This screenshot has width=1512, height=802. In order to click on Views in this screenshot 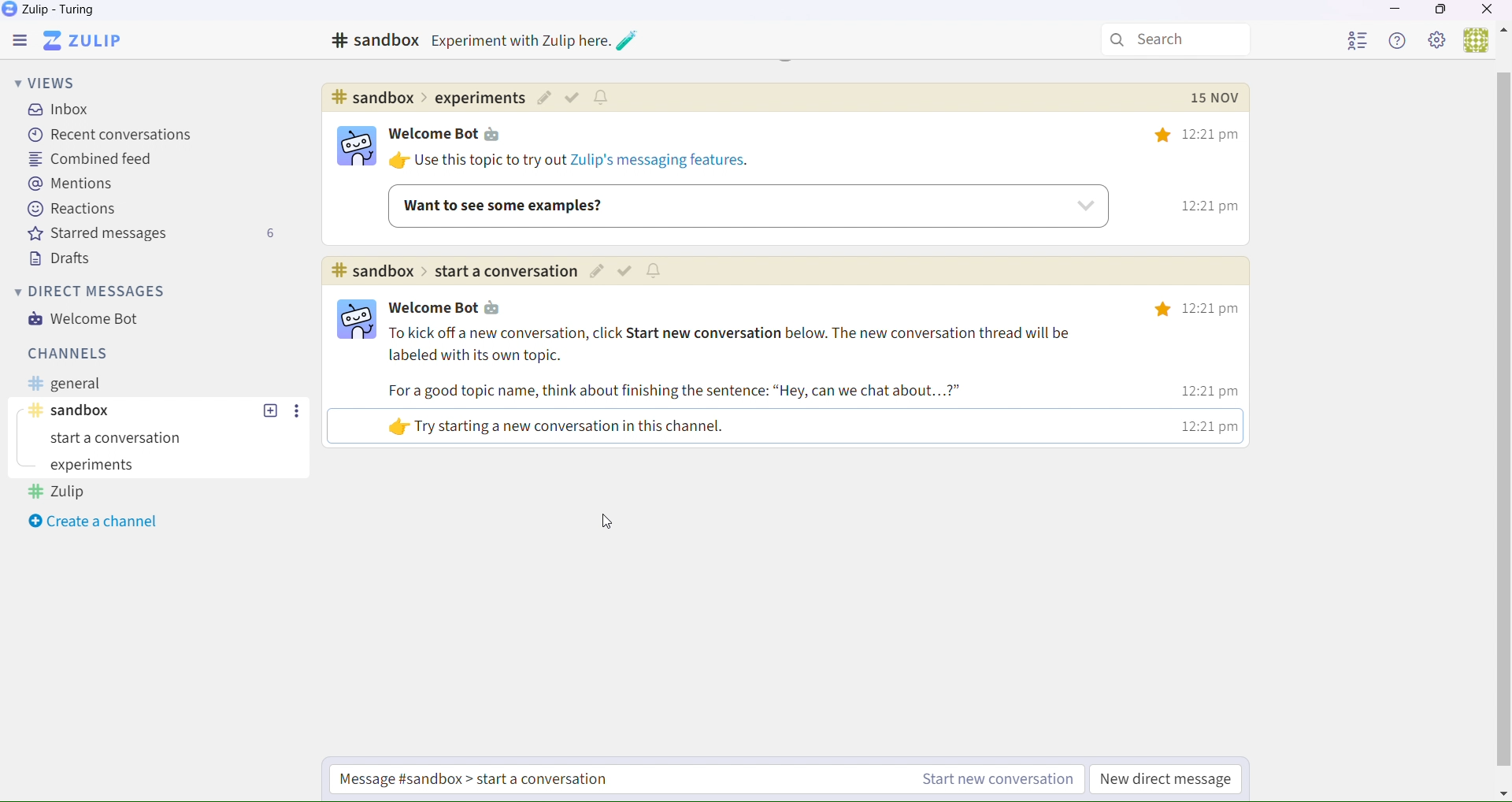, I will do `click(48, 81)`.